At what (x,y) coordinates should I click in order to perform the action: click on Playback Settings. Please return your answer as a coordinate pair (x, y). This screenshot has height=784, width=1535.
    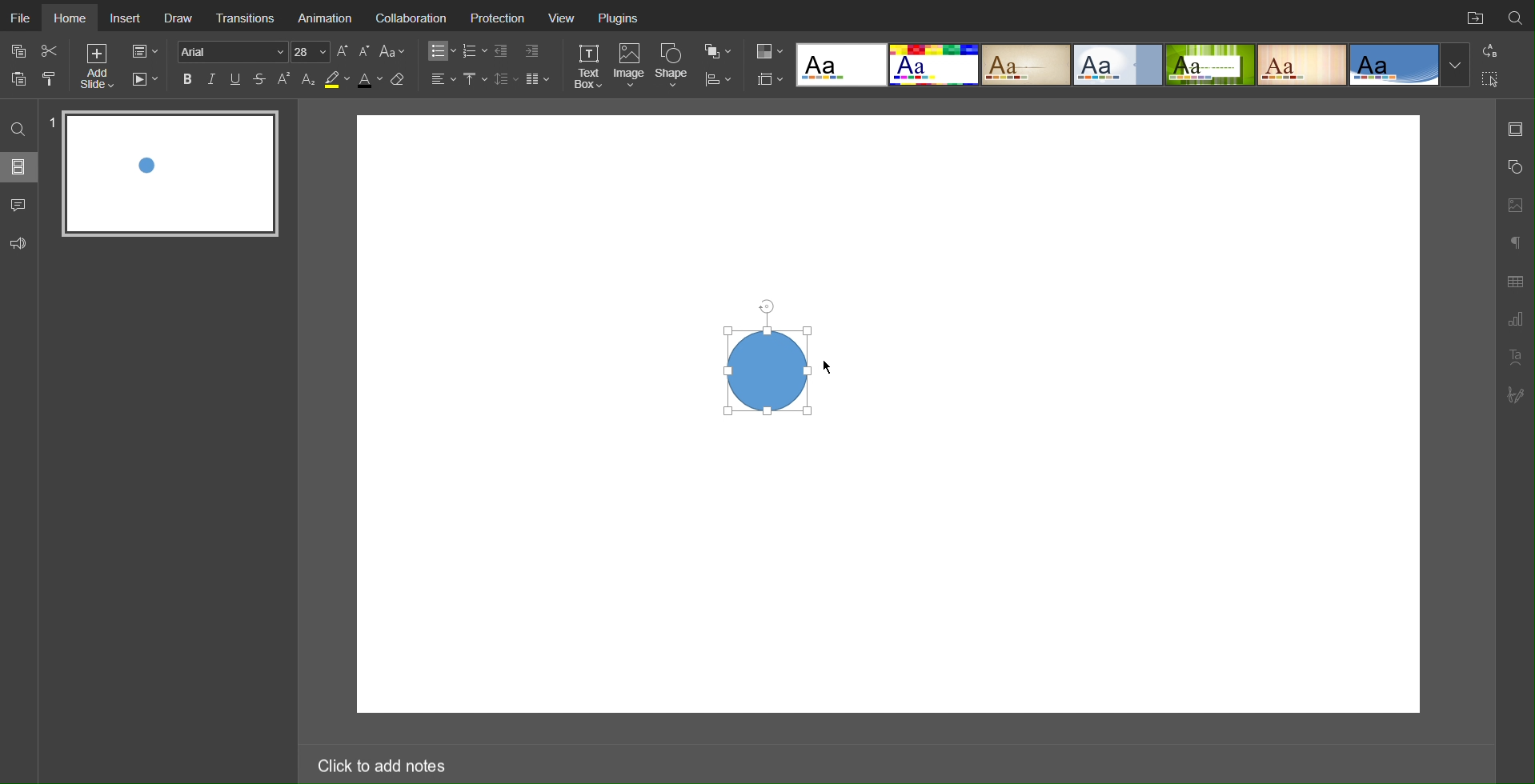
    Looking at the image, I should click on (145, 79).